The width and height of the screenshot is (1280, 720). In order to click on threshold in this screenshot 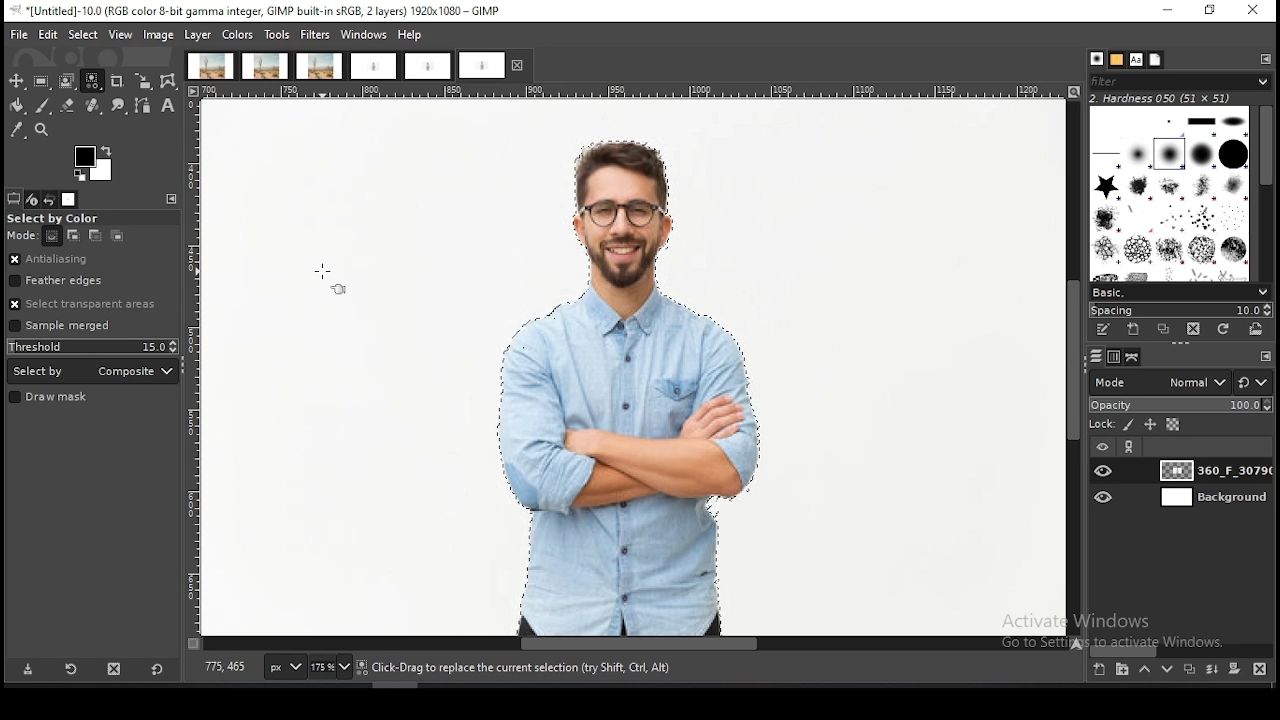, I will do `click(93, 346)`.